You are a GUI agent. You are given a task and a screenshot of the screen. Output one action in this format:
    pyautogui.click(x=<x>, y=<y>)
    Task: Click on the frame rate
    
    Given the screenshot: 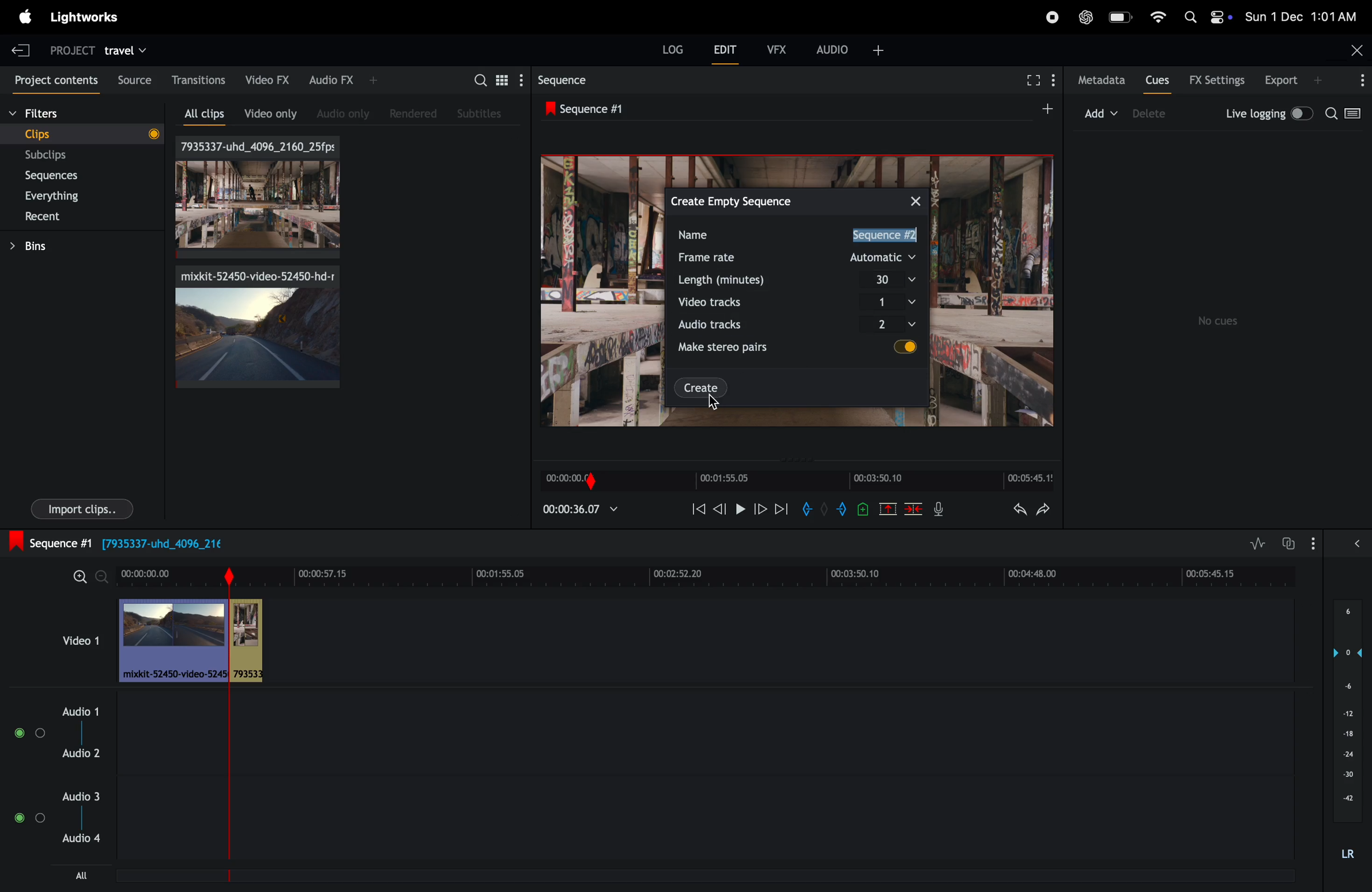 What is the action you would take?
    pyautogui.click(x=714, y=258)
    